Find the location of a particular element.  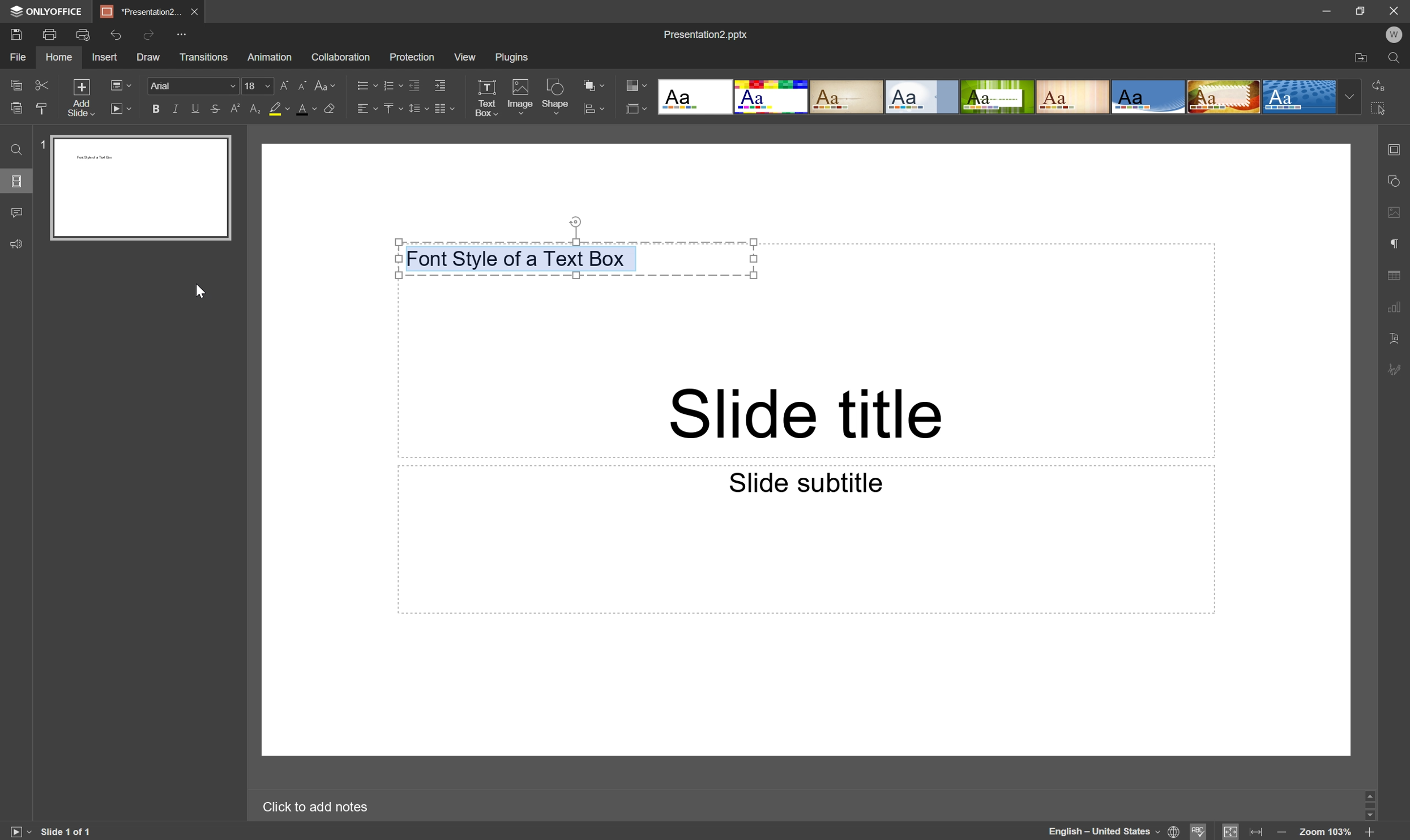

Find is located at coordinates (1396, 57).